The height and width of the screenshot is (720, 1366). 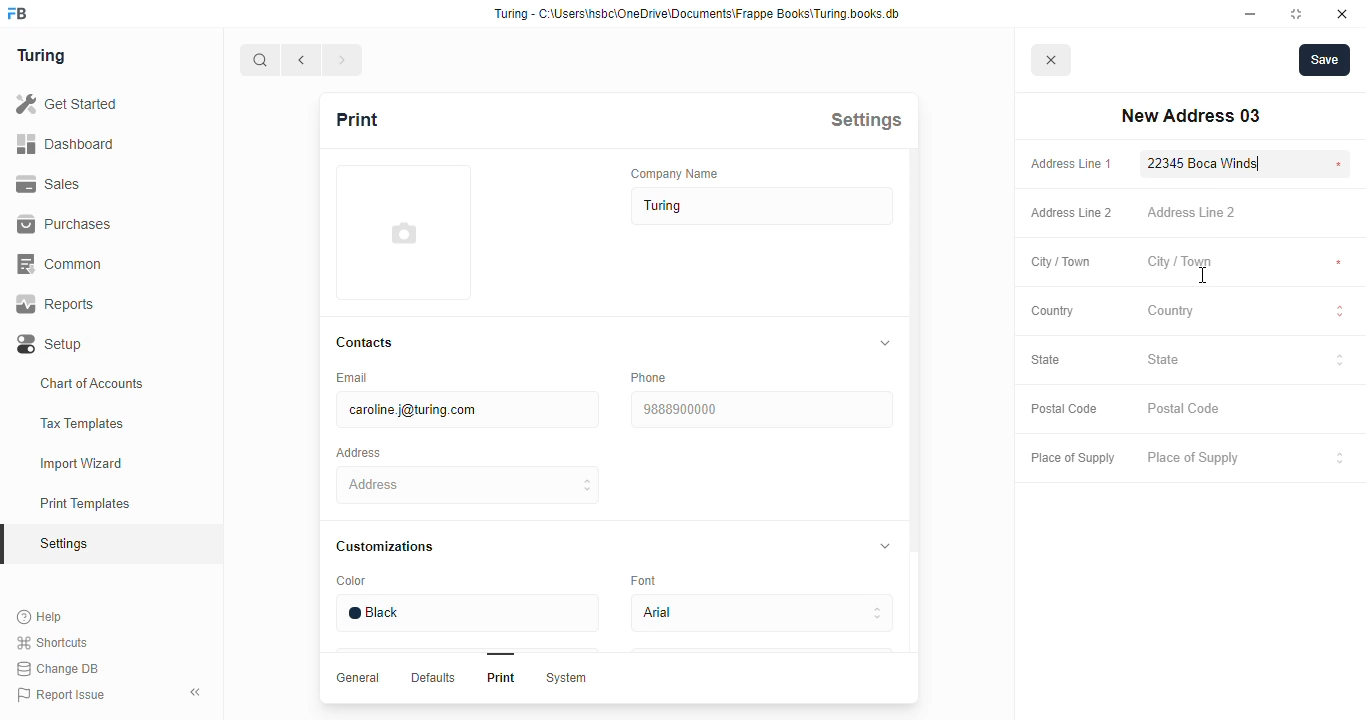 What do you see at coordinates (1191, 211) in the screenshot?
I see `address line 2` at bounding box center [1191, 211].